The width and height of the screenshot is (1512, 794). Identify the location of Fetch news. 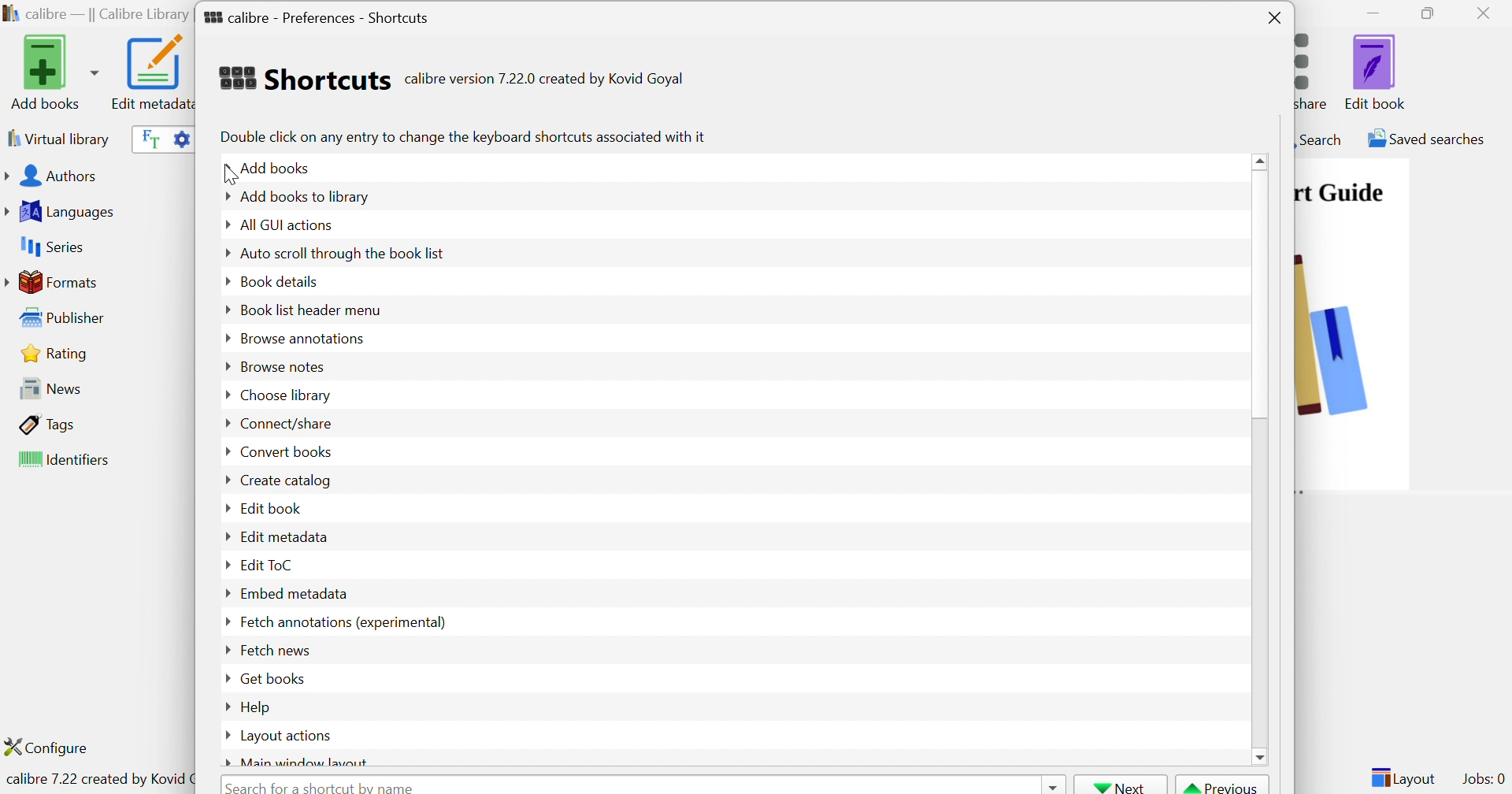
(273, 649).